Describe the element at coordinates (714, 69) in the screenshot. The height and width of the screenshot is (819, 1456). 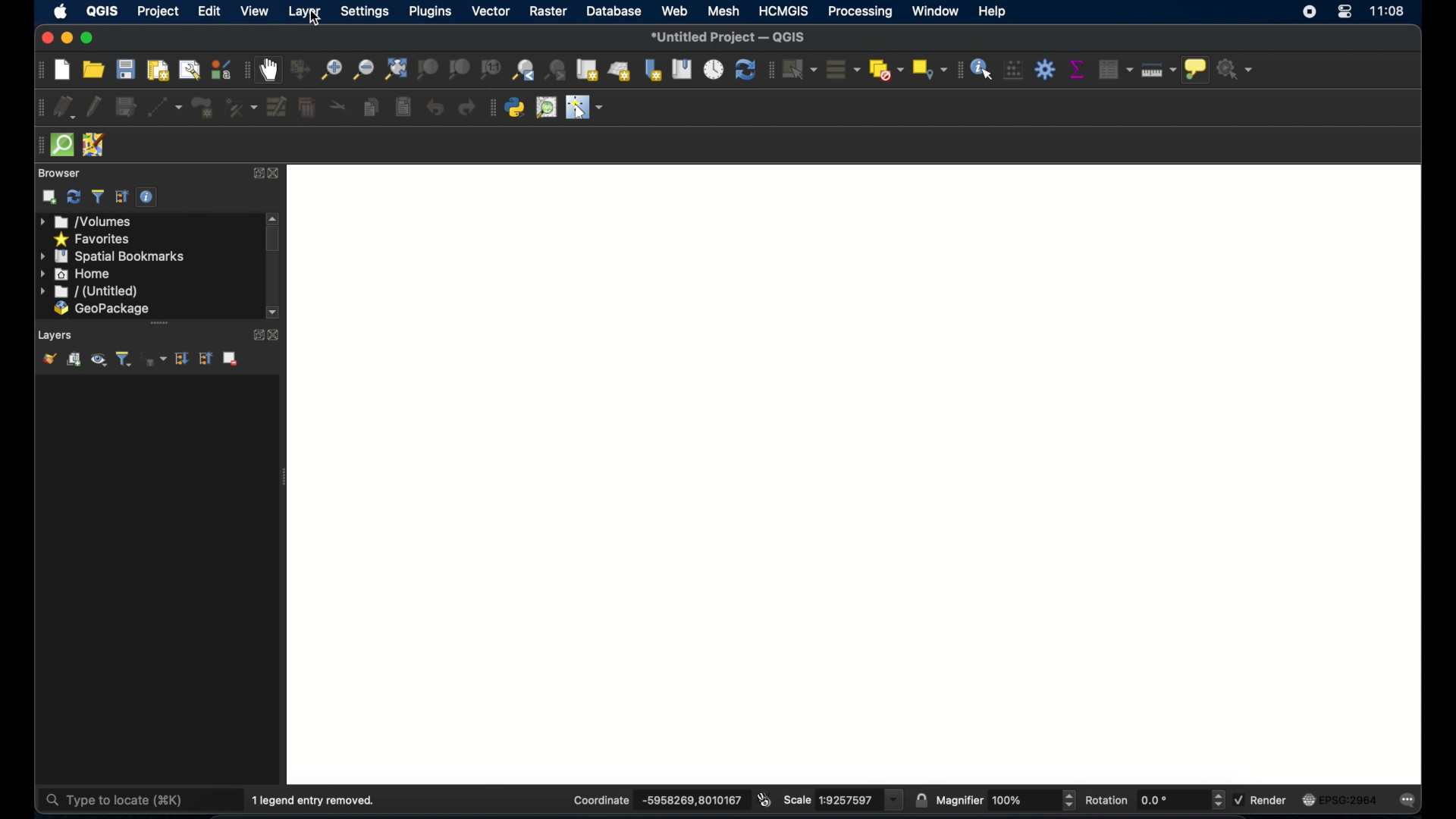
I see `temporal controller panel` at that location.